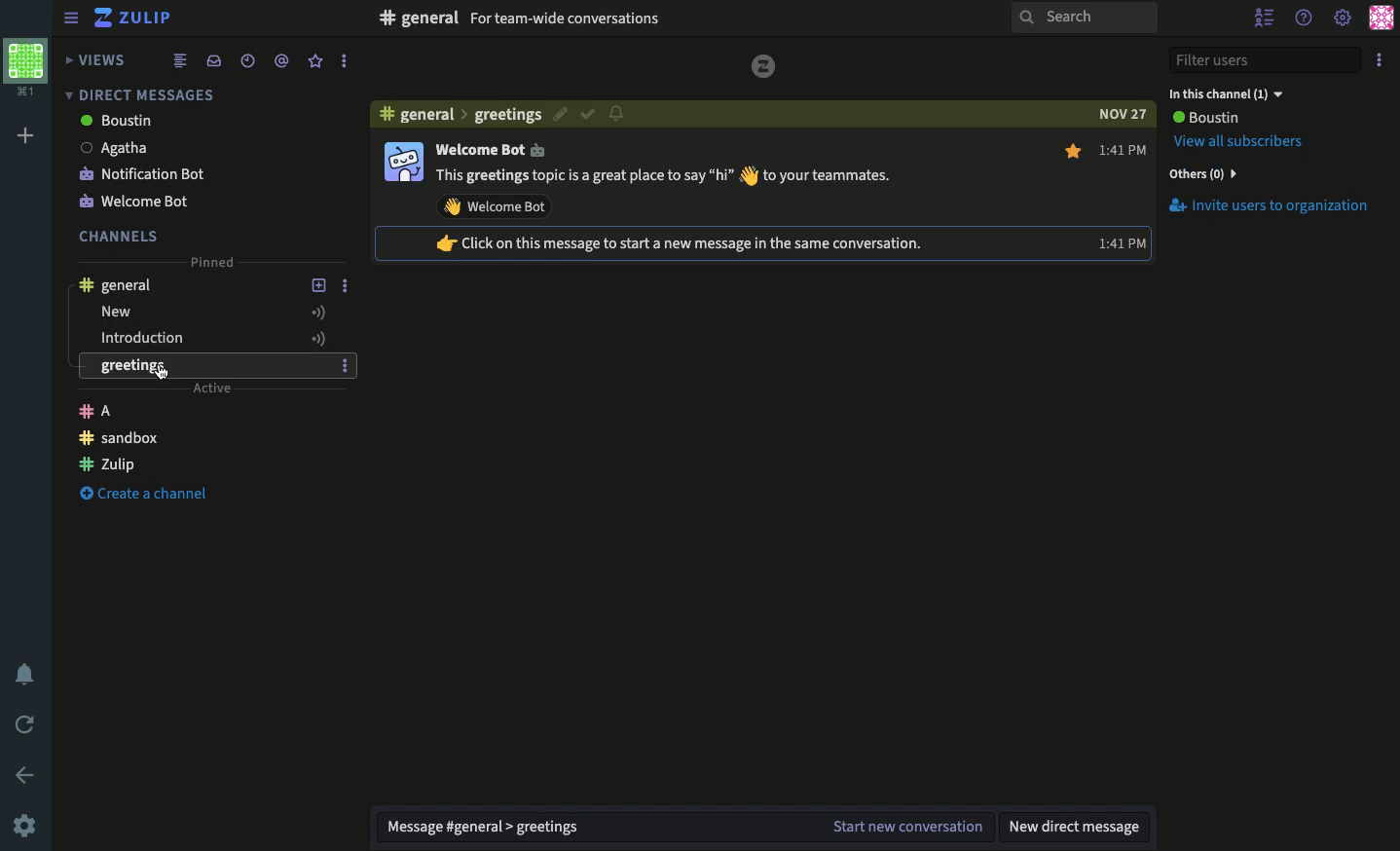  Describe the element at coordinates (904, 828) in the screenshot. I see `Start the conversation` at that location.